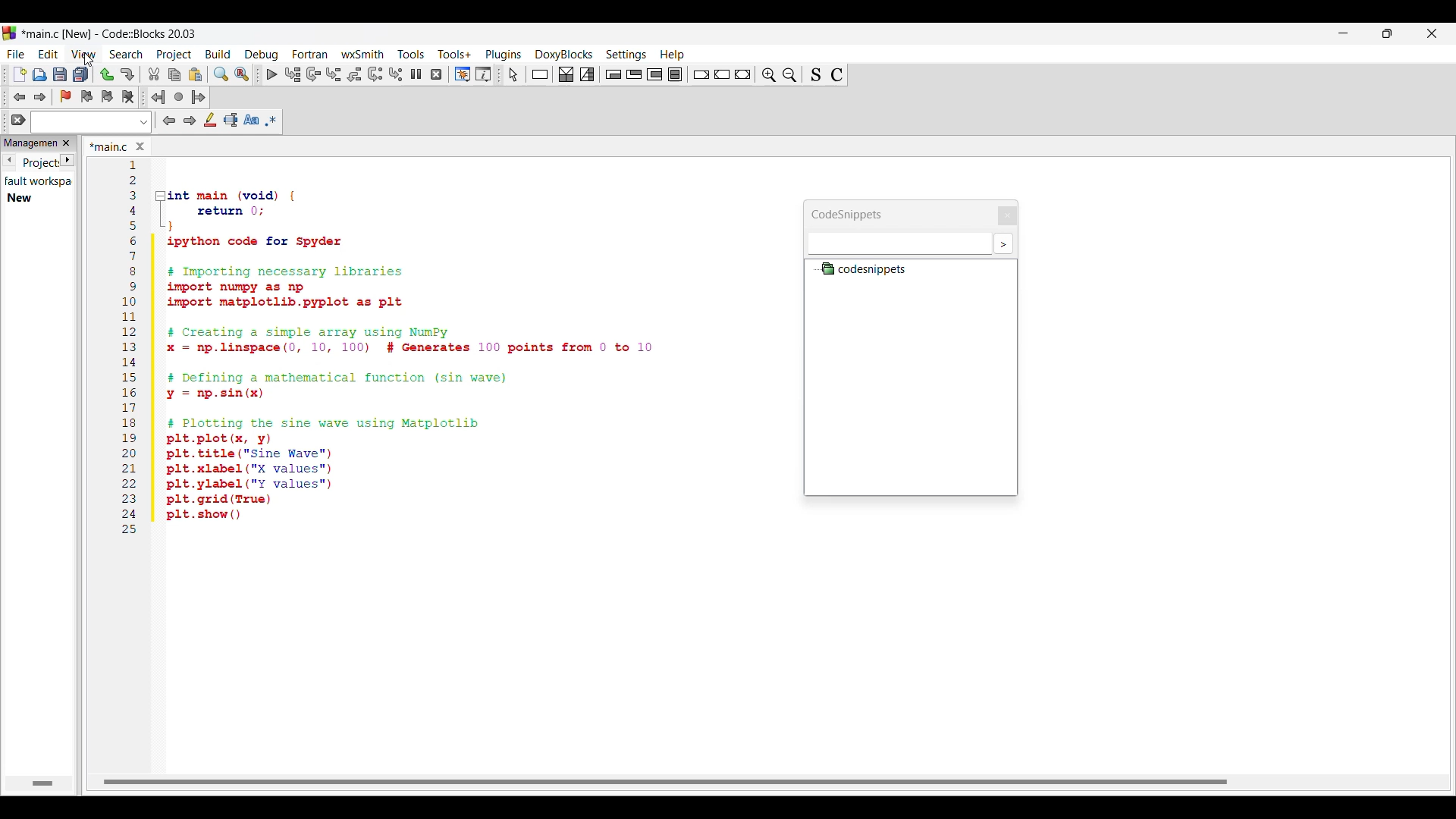 Image resolution: width=1456 pixels, height=819 pixels. I want to click on Previous, so click(8, 160).